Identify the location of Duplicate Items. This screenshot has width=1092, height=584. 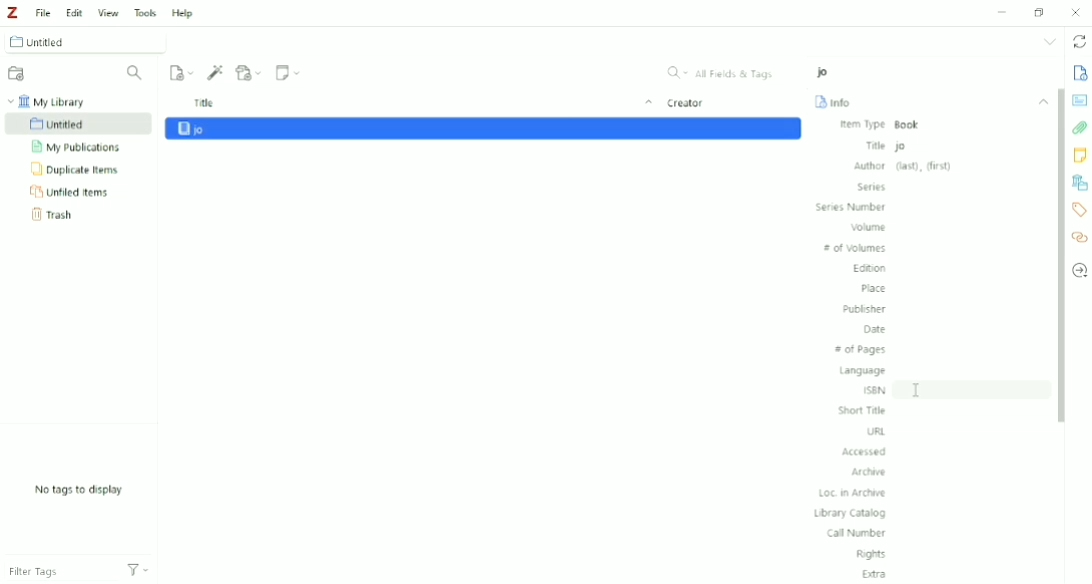
(77, 170).